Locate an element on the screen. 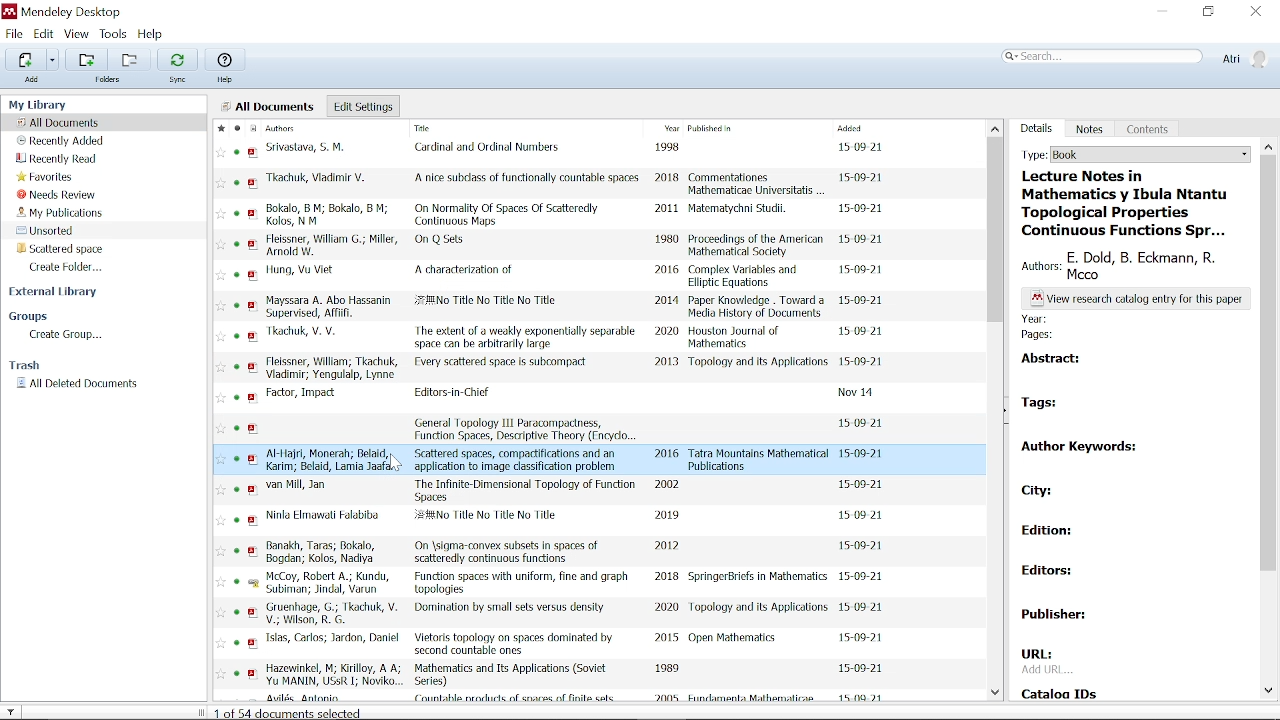 The image size is (1280, 720). Remove from current folder is located at coordinates (128, 59).